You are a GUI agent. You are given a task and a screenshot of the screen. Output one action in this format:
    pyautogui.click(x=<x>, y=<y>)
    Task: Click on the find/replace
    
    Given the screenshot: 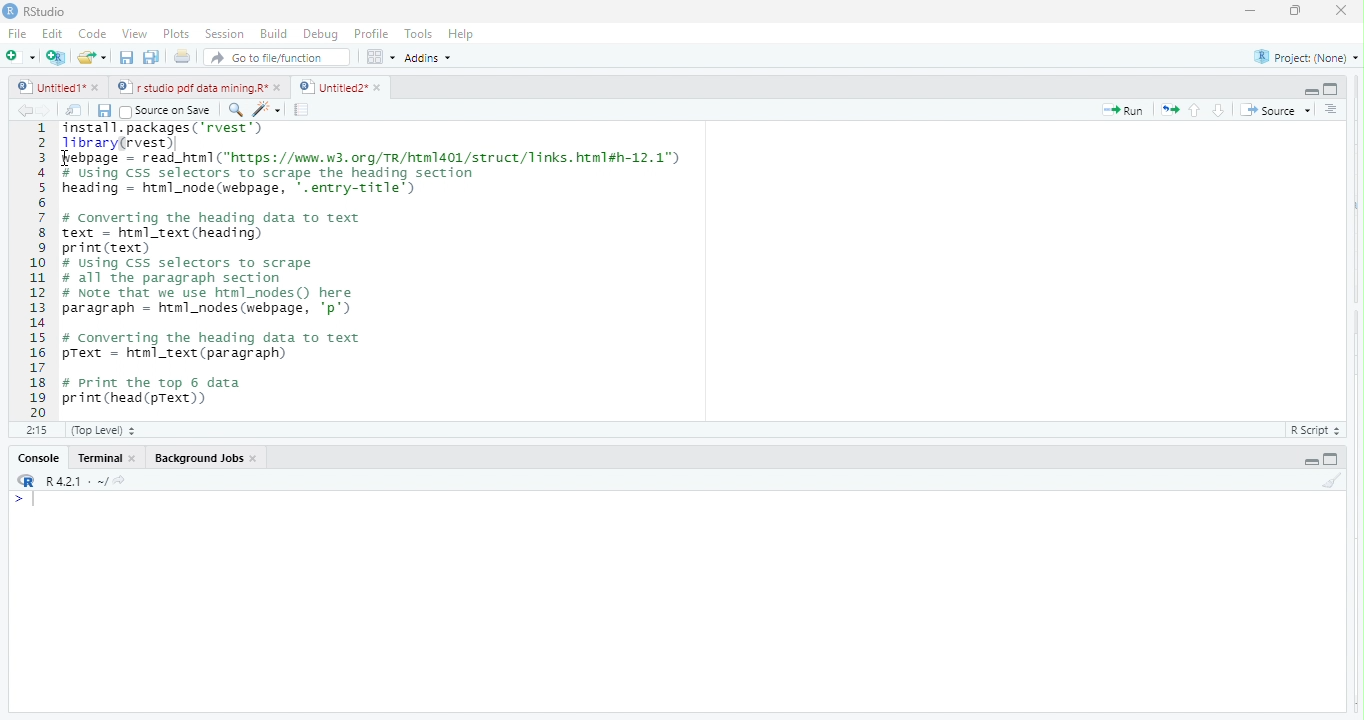 What is the action you would take?
    pyautogui.click(x=234, y=109)
    